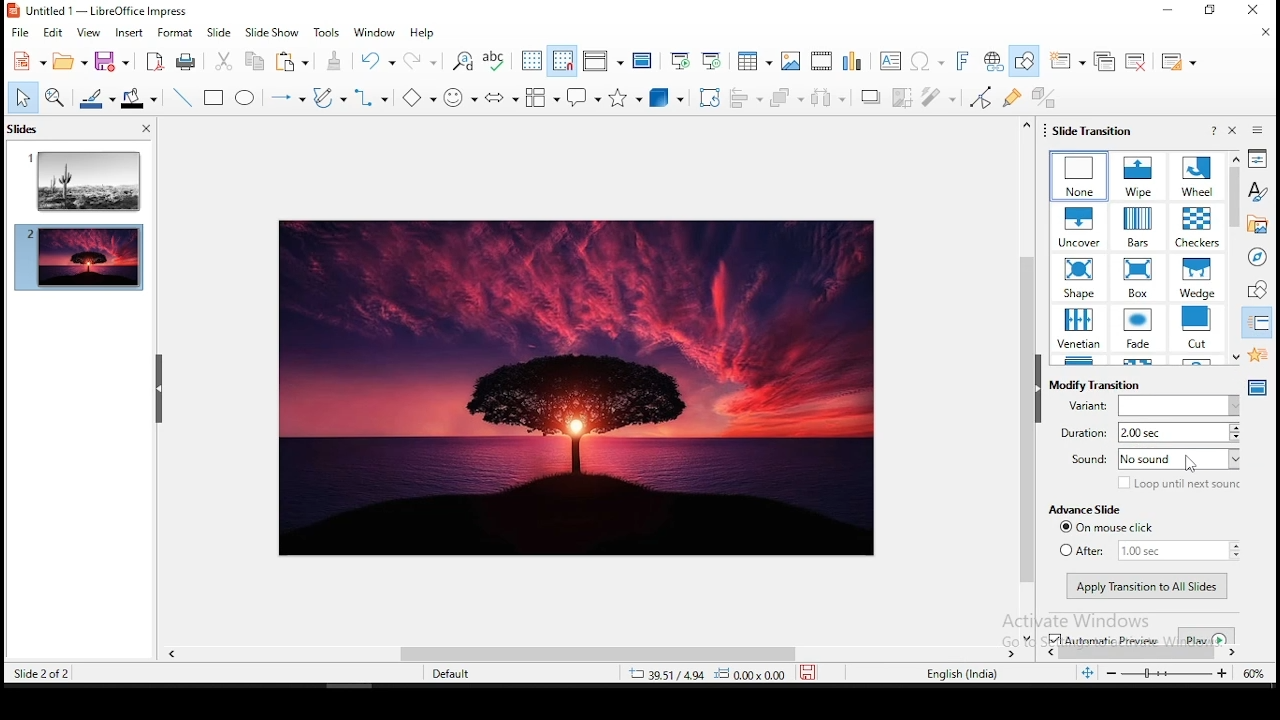 The width and height of the screenshot is (1280, 720). I want to click on default, so click(455, 674).